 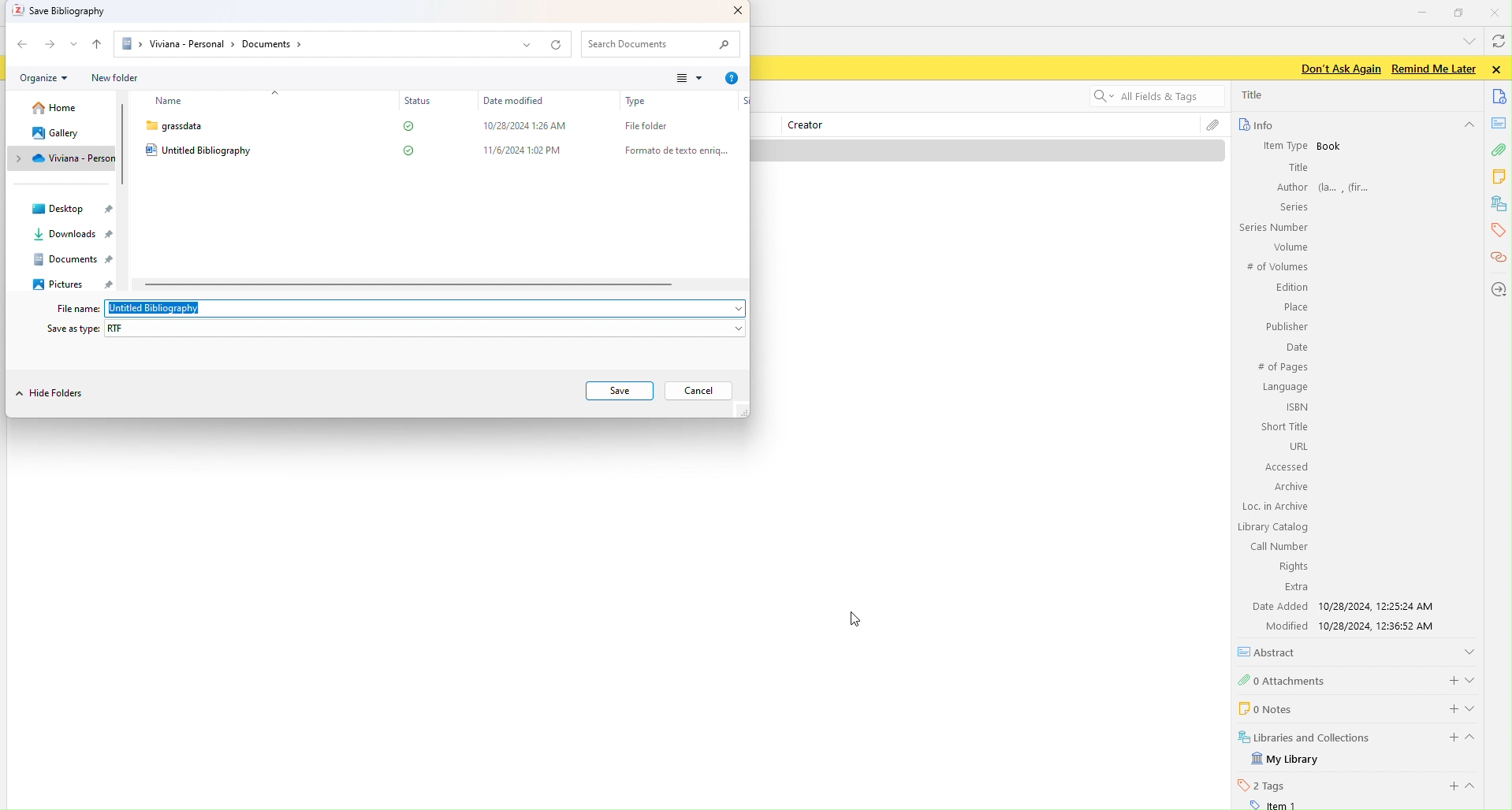 What do you see at coordinates (1296, 588) in the screenshot?
I see `extra` at bounding box center [1296, 588].